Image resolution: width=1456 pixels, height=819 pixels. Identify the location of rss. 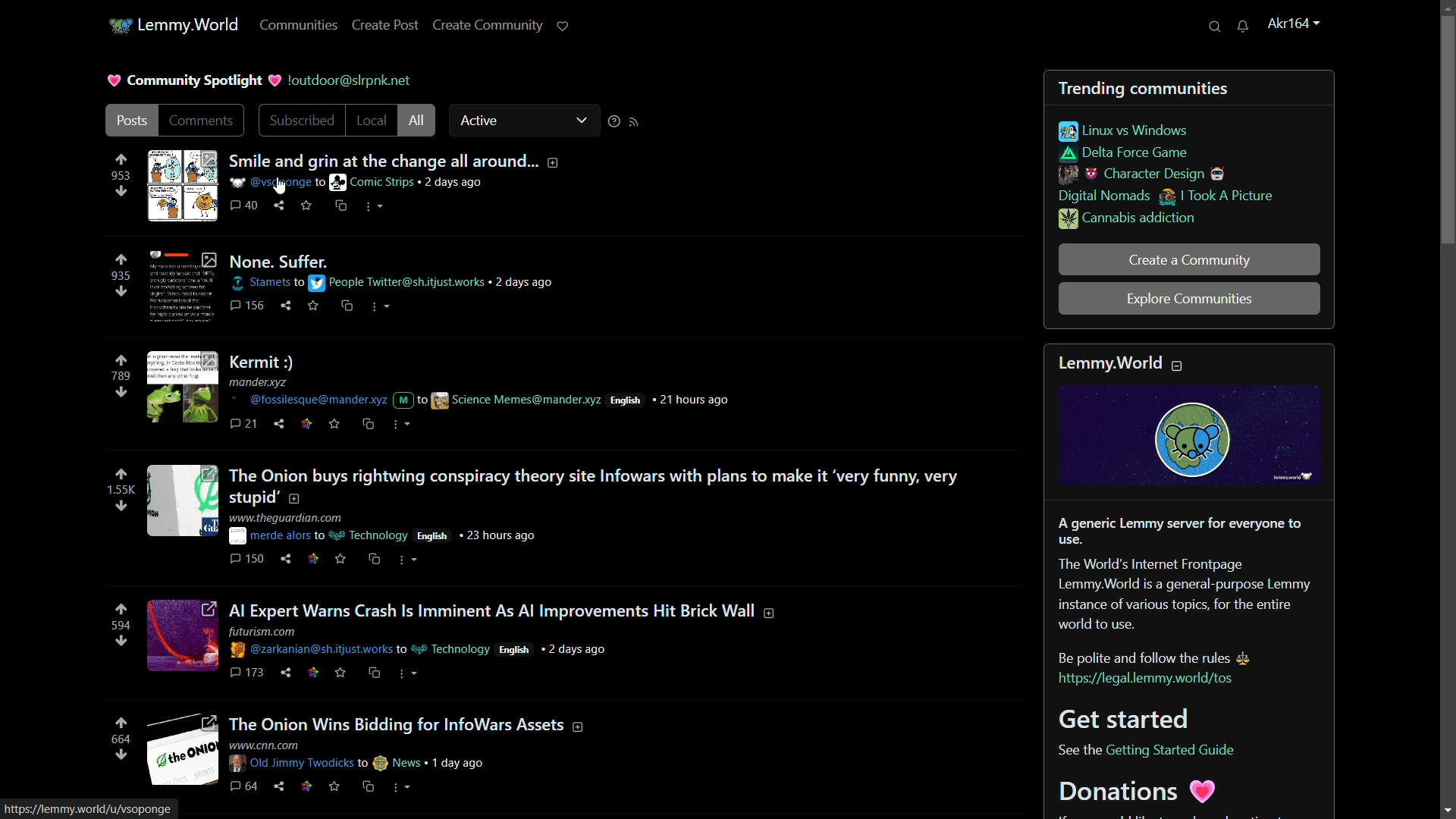
(635, 123).